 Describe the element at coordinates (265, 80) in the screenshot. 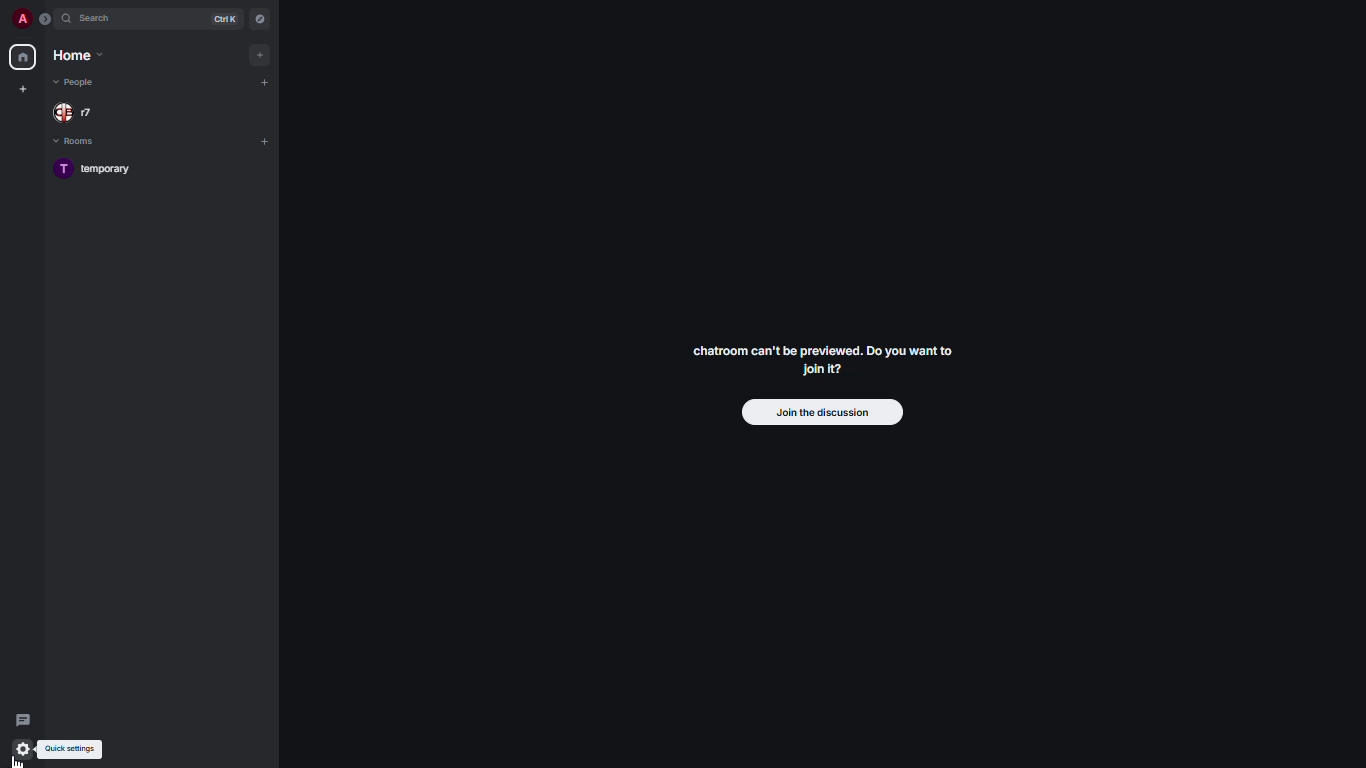

I see `add` at that location.